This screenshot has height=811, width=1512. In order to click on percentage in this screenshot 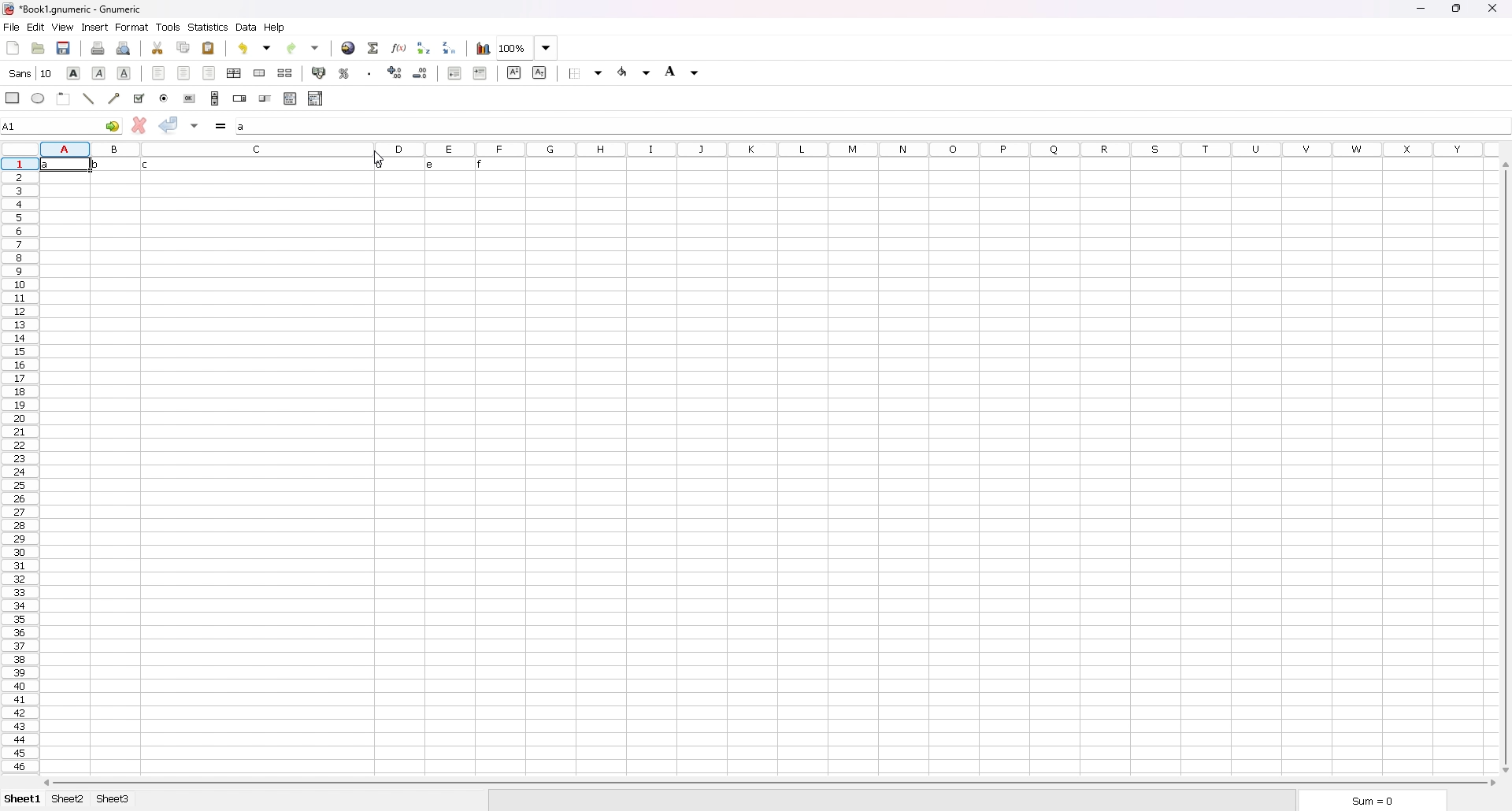, I will do `click(344, 72)`.